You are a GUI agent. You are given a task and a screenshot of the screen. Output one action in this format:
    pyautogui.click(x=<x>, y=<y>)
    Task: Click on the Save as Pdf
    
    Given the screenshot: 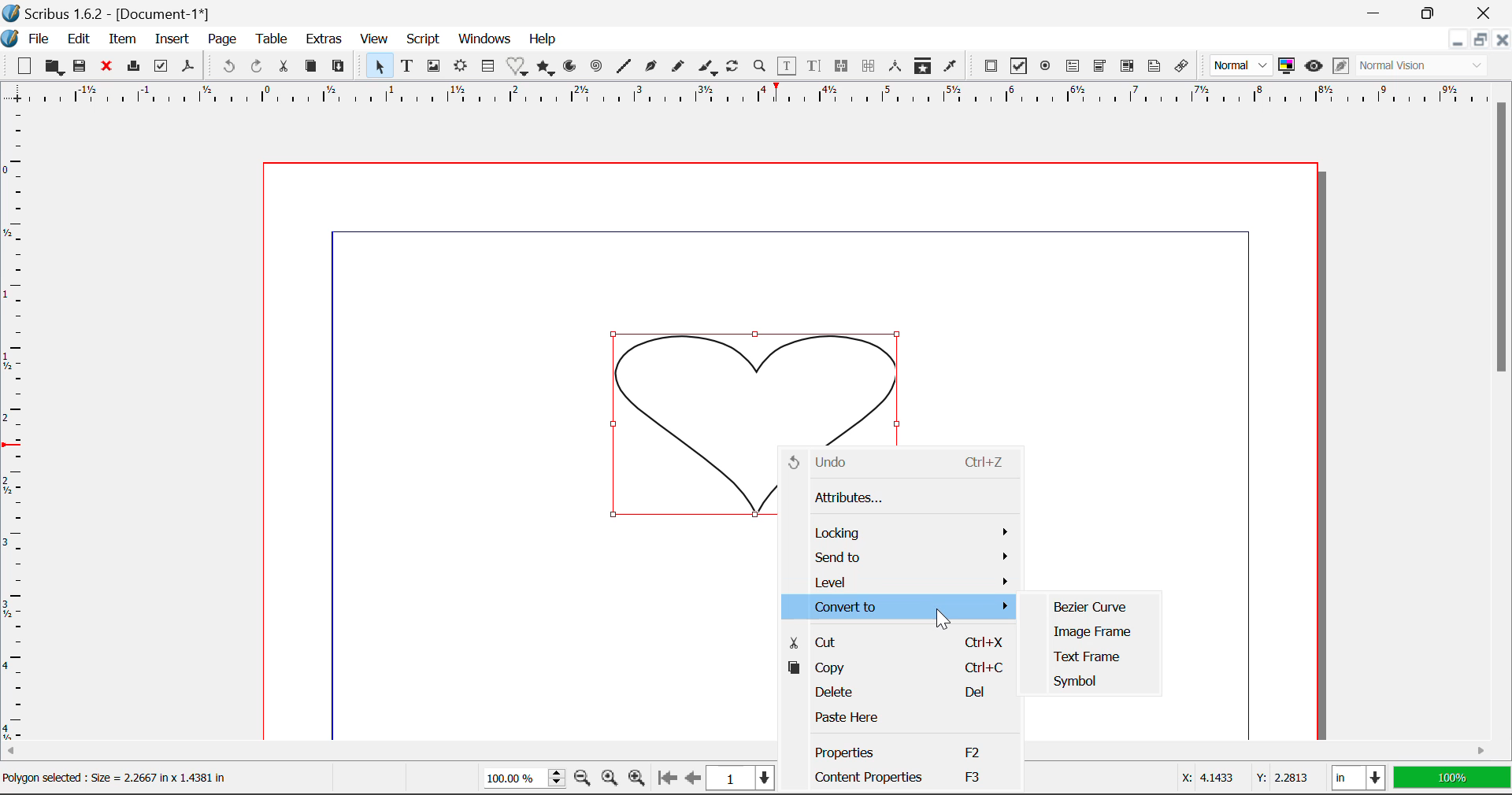 What is the action you would take?
    pyautogui.click(x=187, y=68)
    